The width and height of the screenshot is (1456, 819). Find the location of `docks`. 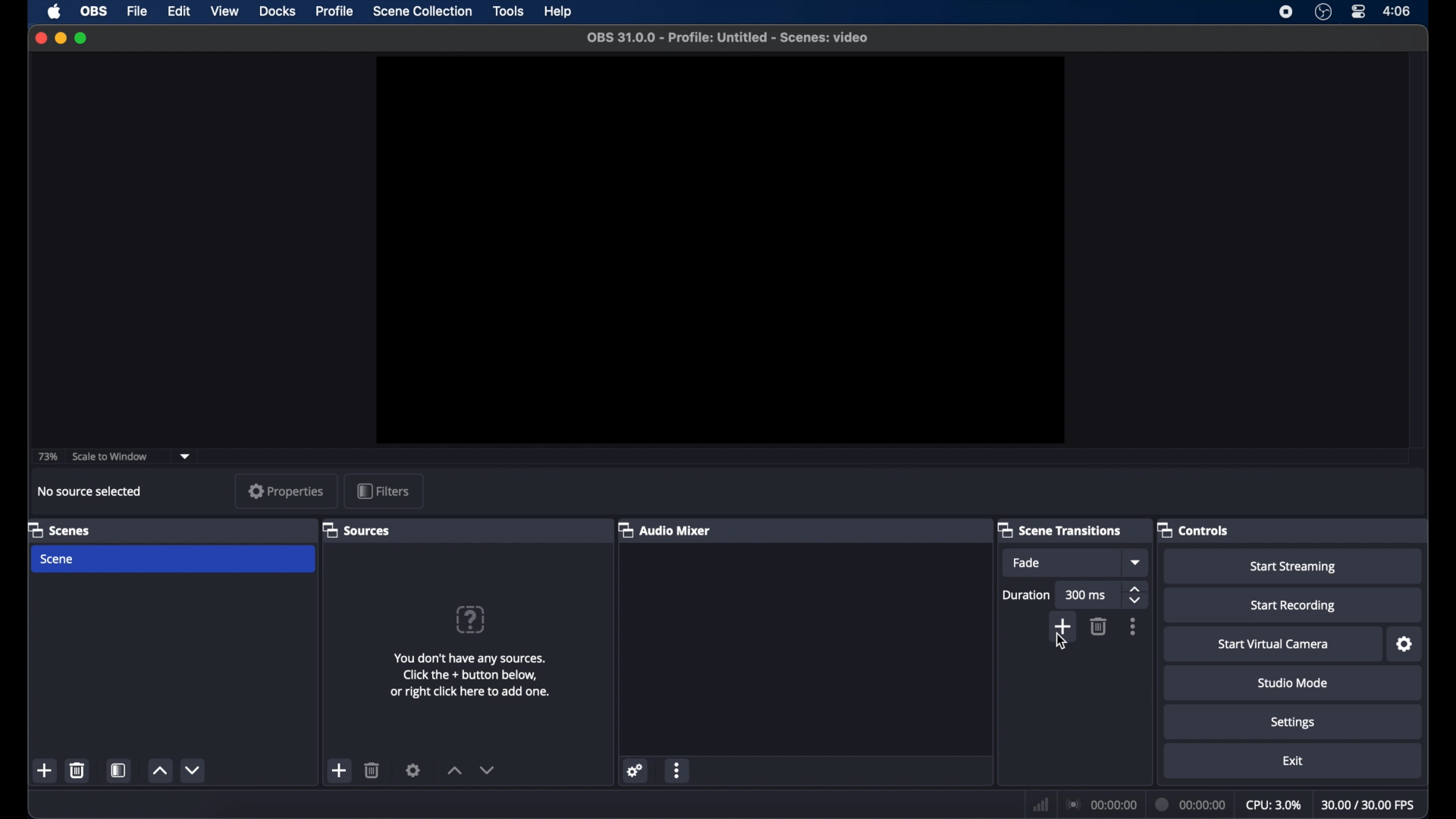

docks is located at coordinates (278, 11).